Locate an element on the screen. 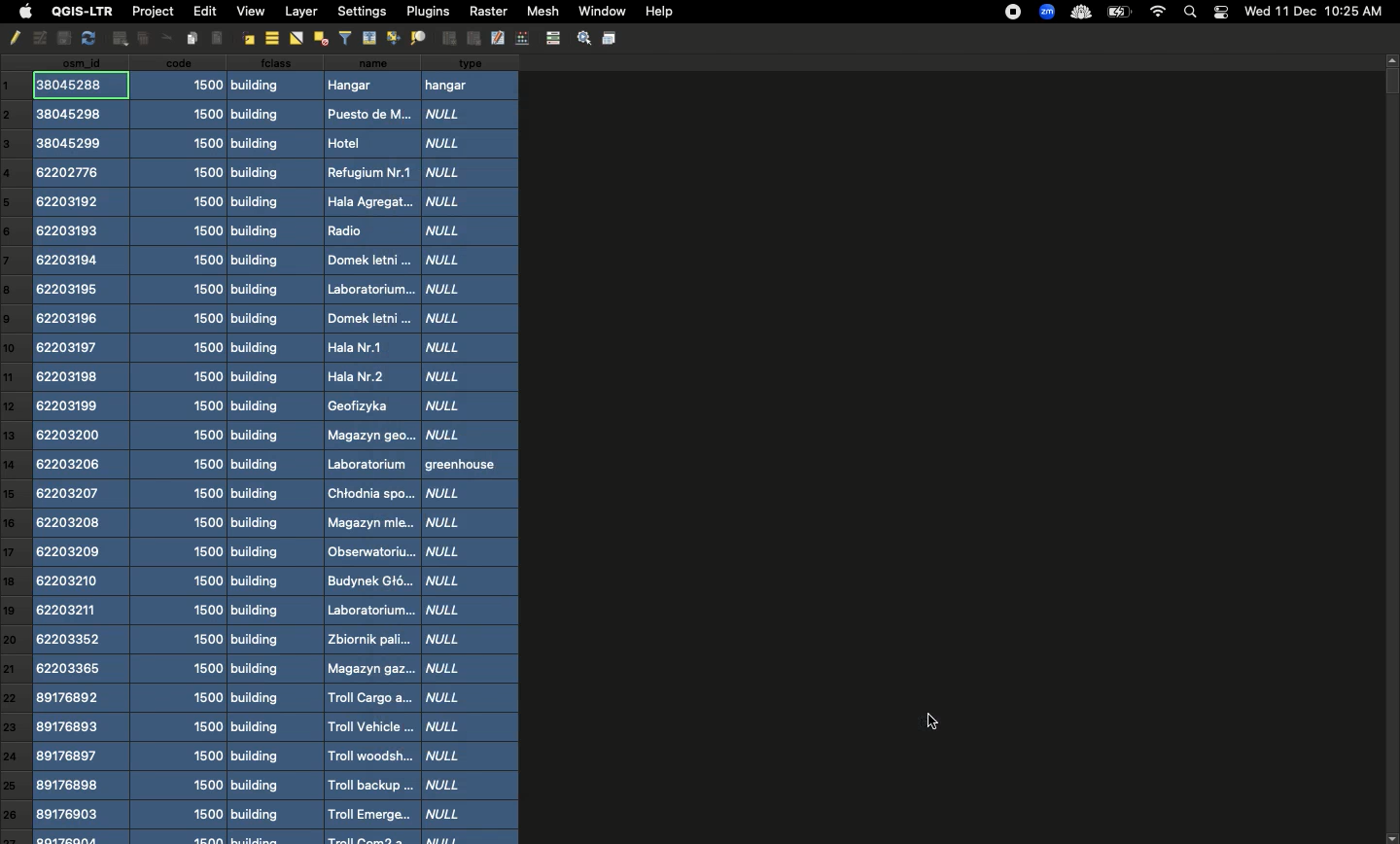  Flip Horizontally is located at coordinates (295, 39).